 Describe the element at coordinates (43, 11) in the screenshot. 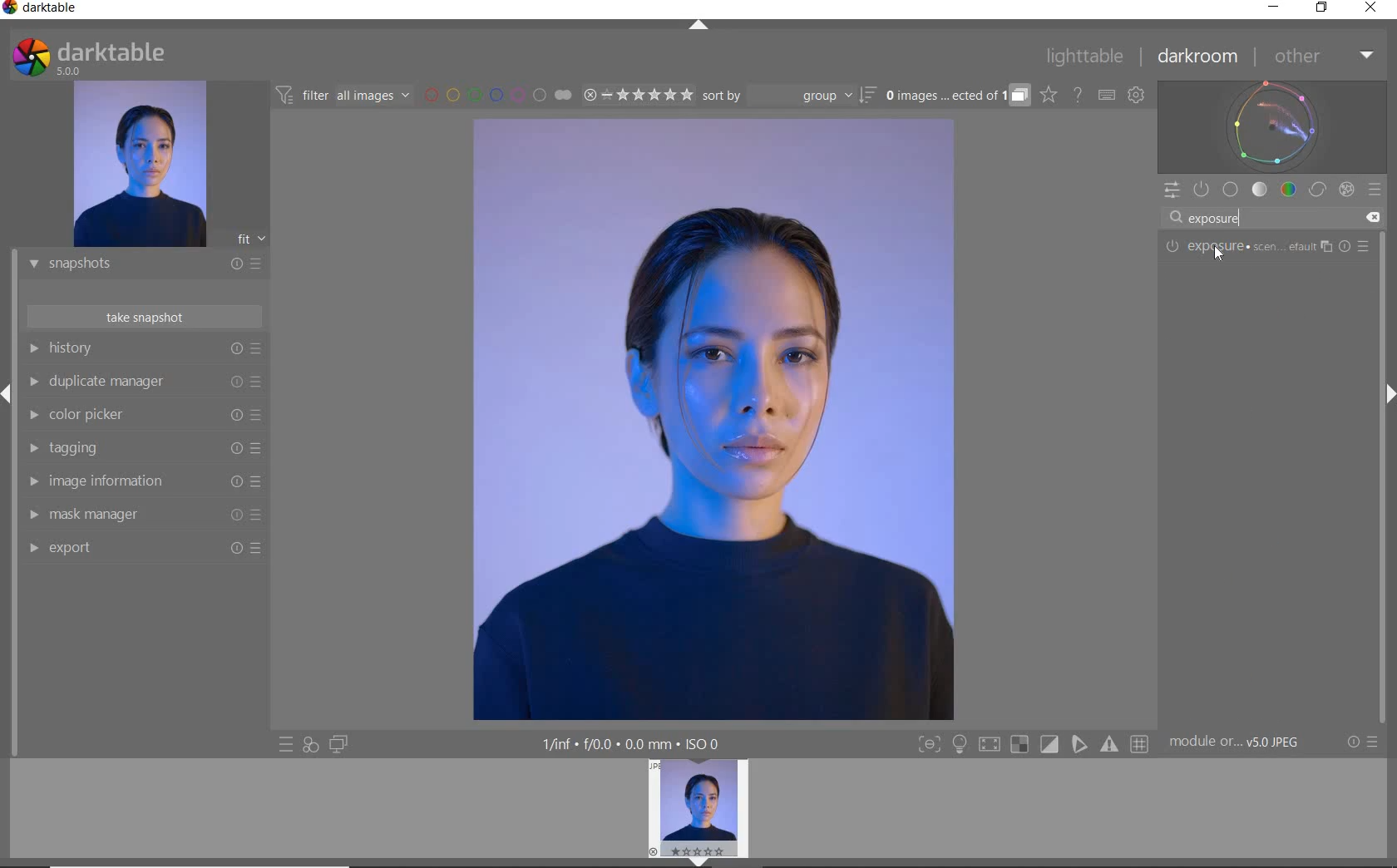

I see `SYSTEM NAME` at that location.